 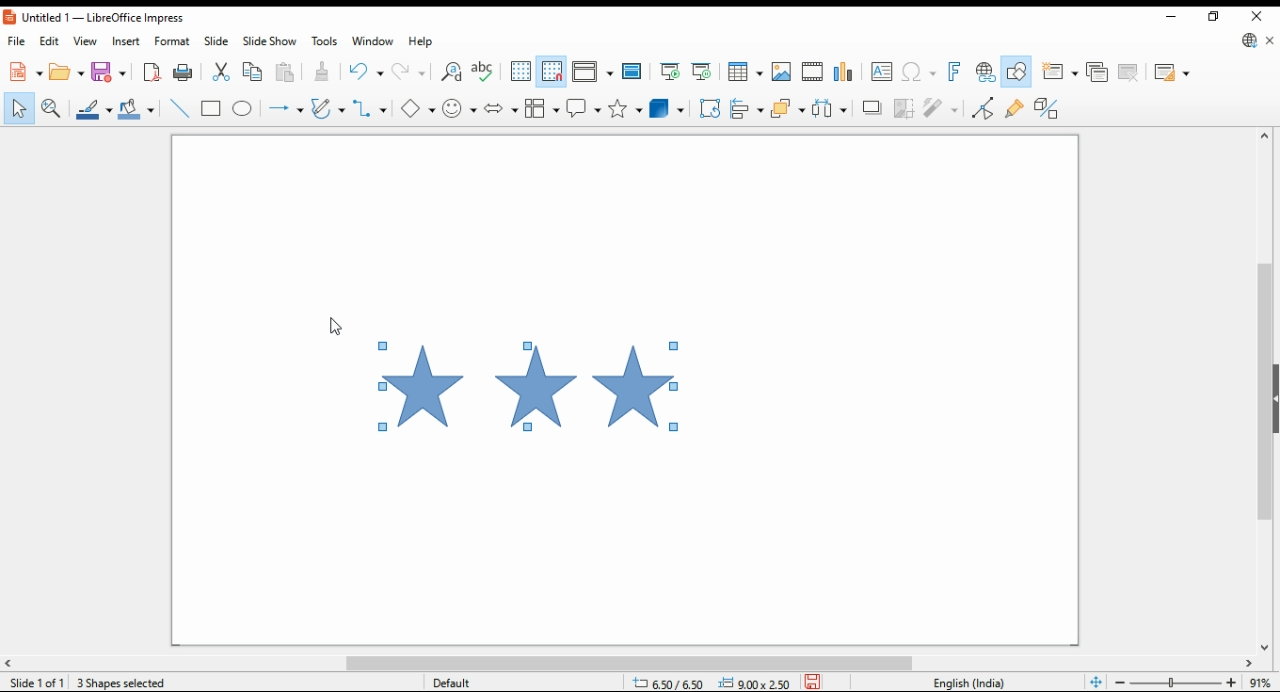 I want to click on lines and arrows, so click(x=286, y=108).